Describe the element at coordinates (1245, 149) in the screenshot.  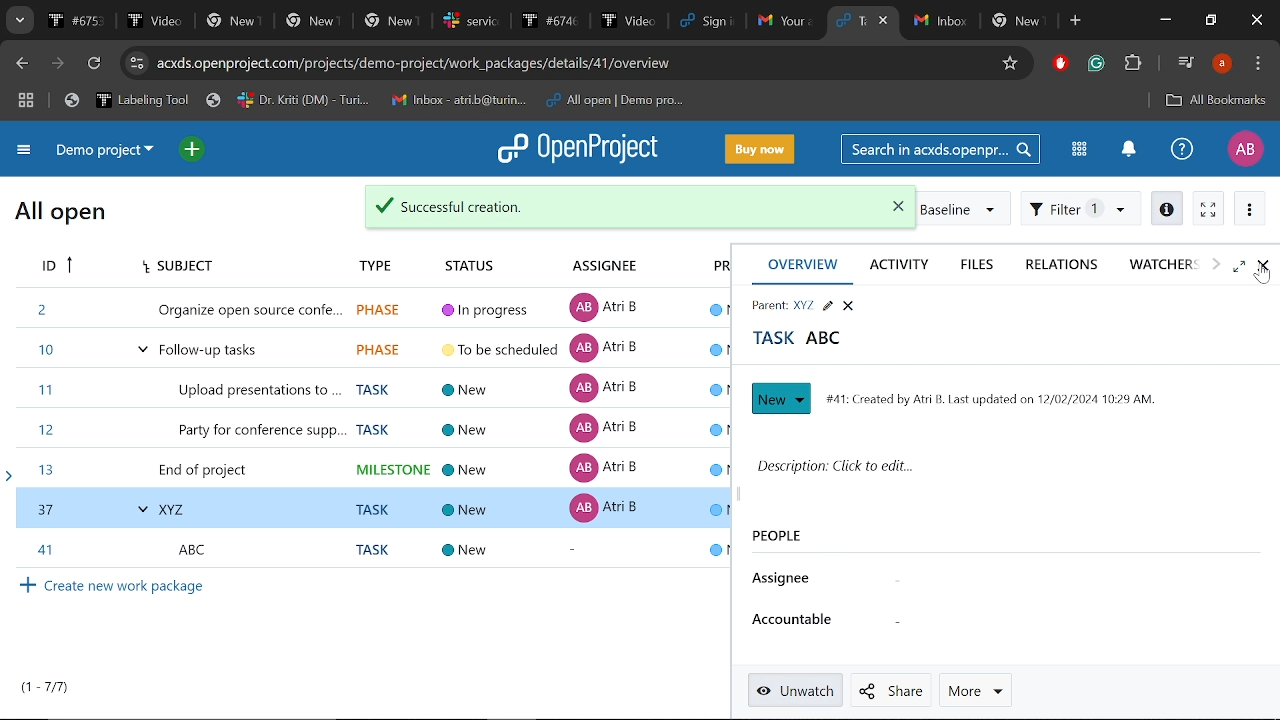
I see `Profile` at that location.